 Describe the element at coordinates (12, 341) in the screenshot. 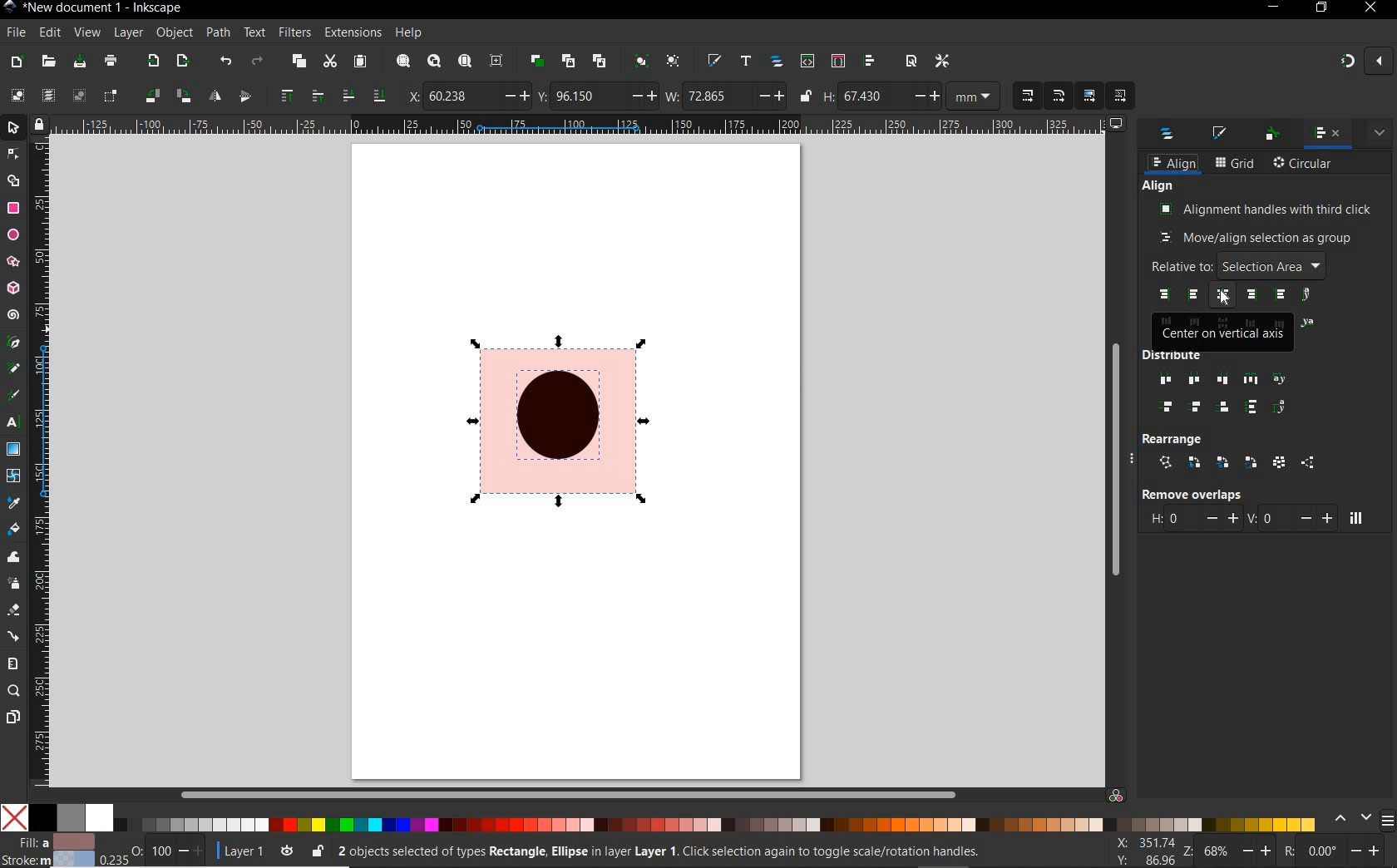

I see `pen tool` at that location.